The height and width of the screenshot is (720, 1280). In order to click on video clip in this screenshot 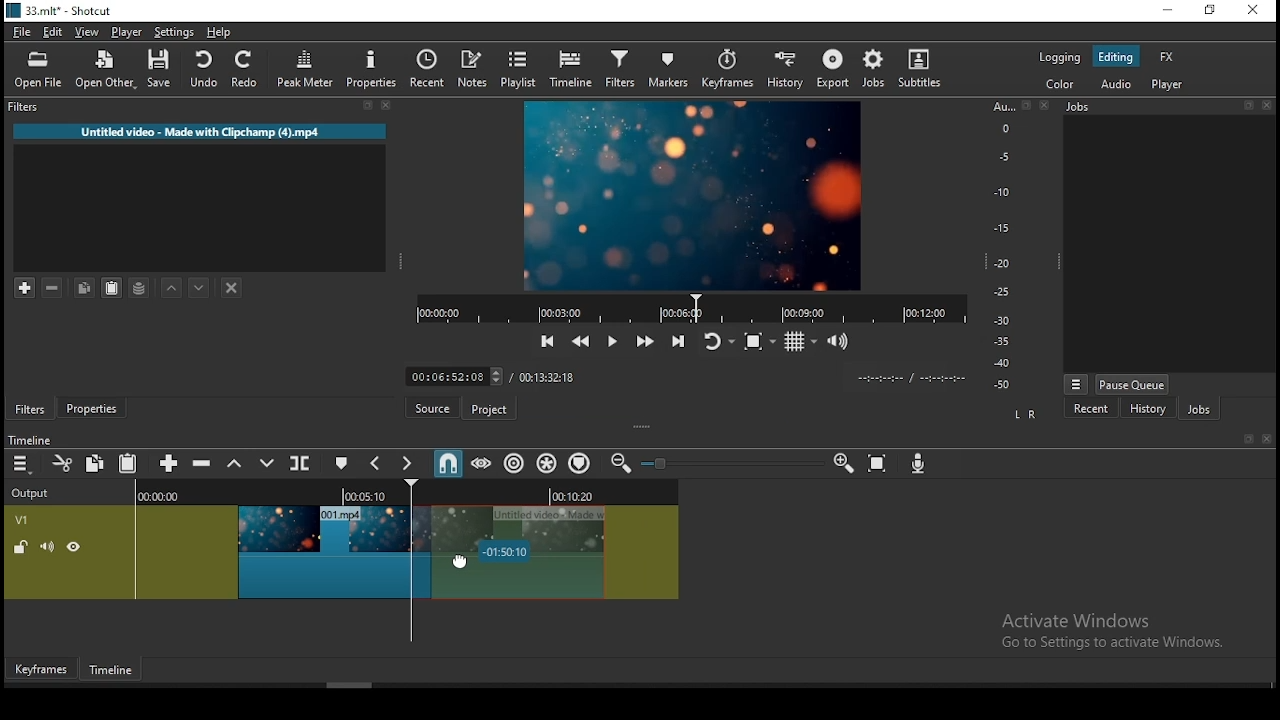, I will do `click(543, 554)`.